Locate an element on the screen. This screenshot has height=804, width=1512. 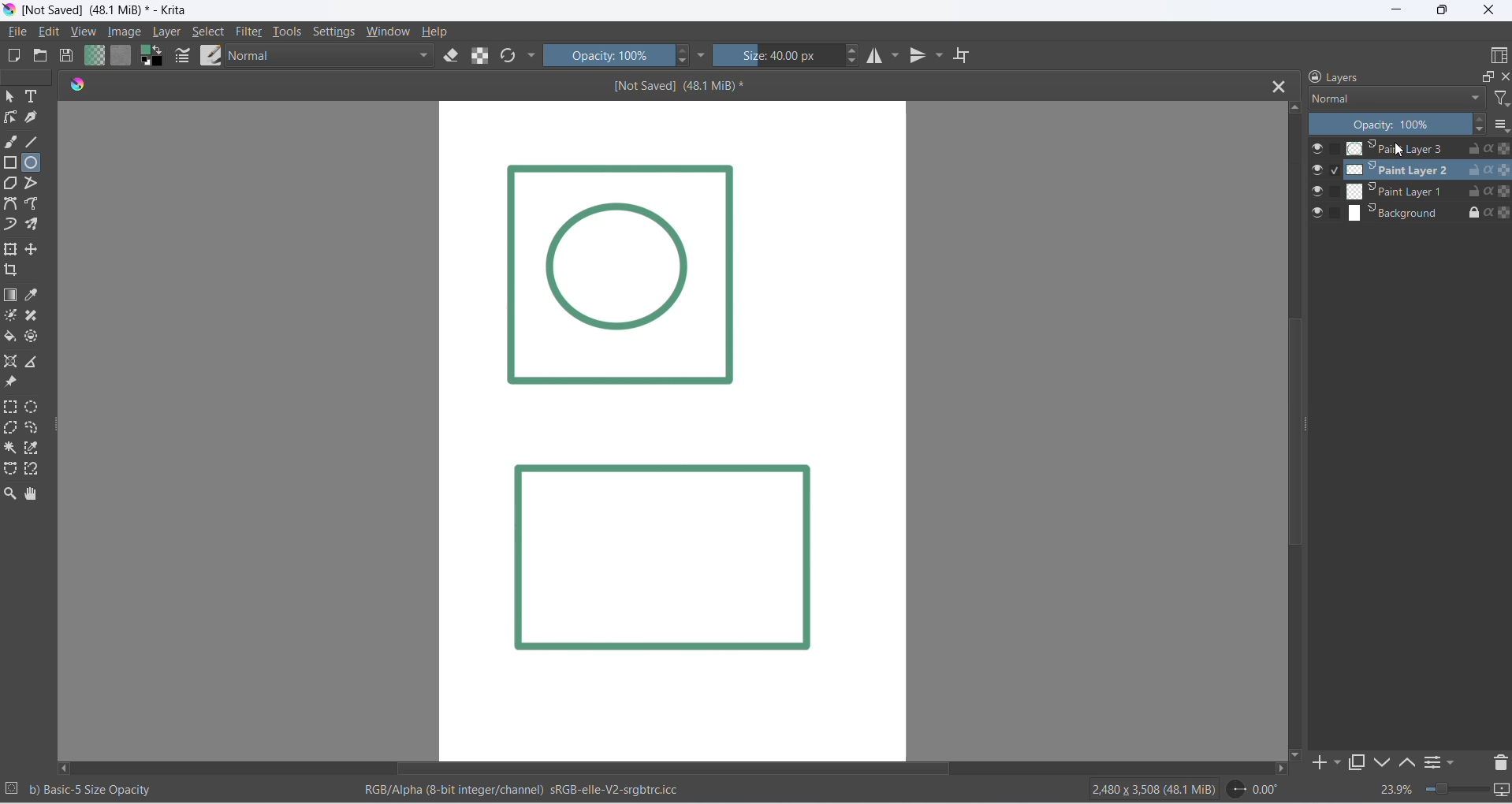
[Not Saved] (48.1 MiB)* is located at coordinates (700, 87).